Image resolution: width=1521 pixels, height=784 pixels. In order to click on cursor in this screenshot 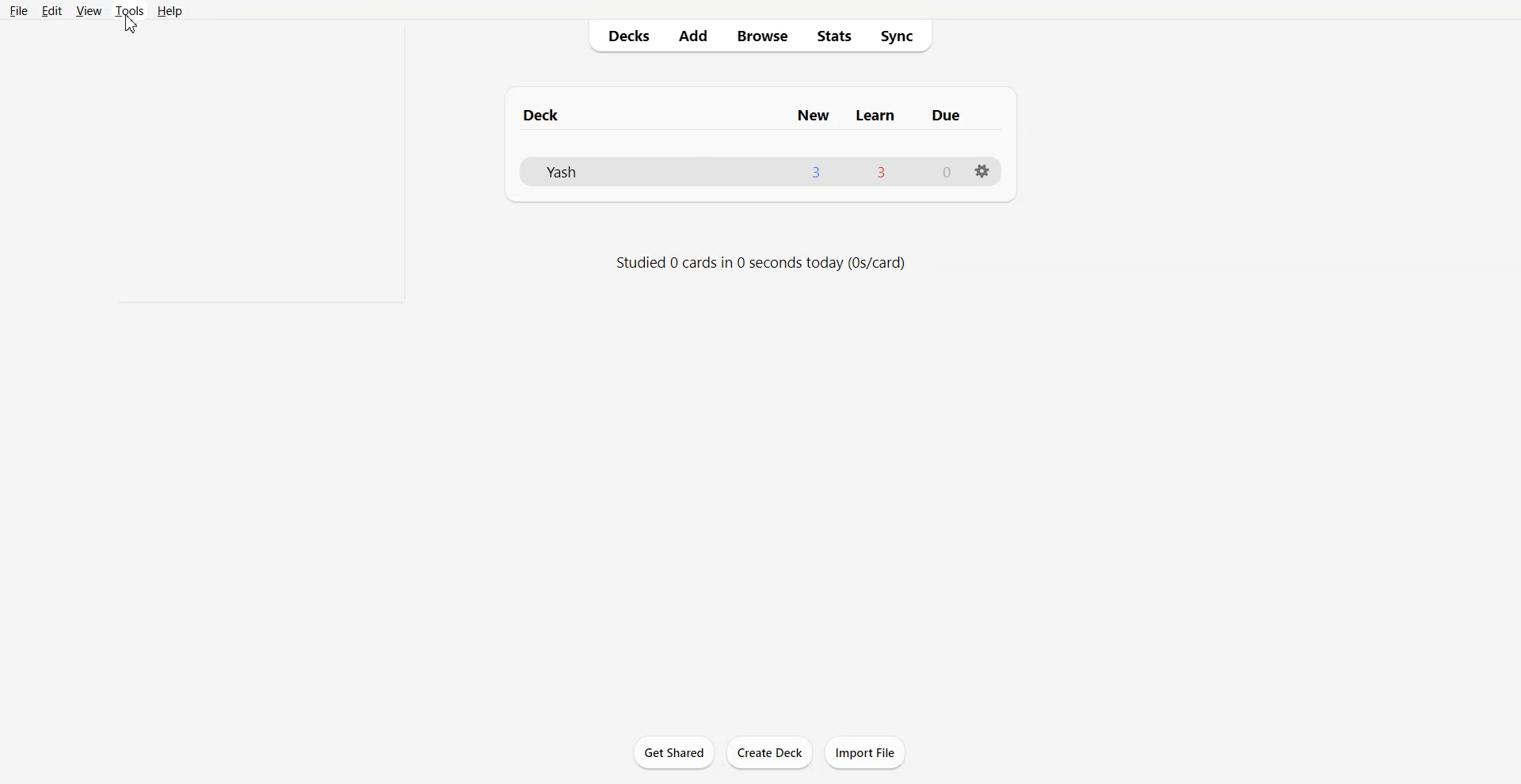, I will do `click(131, 24)`.